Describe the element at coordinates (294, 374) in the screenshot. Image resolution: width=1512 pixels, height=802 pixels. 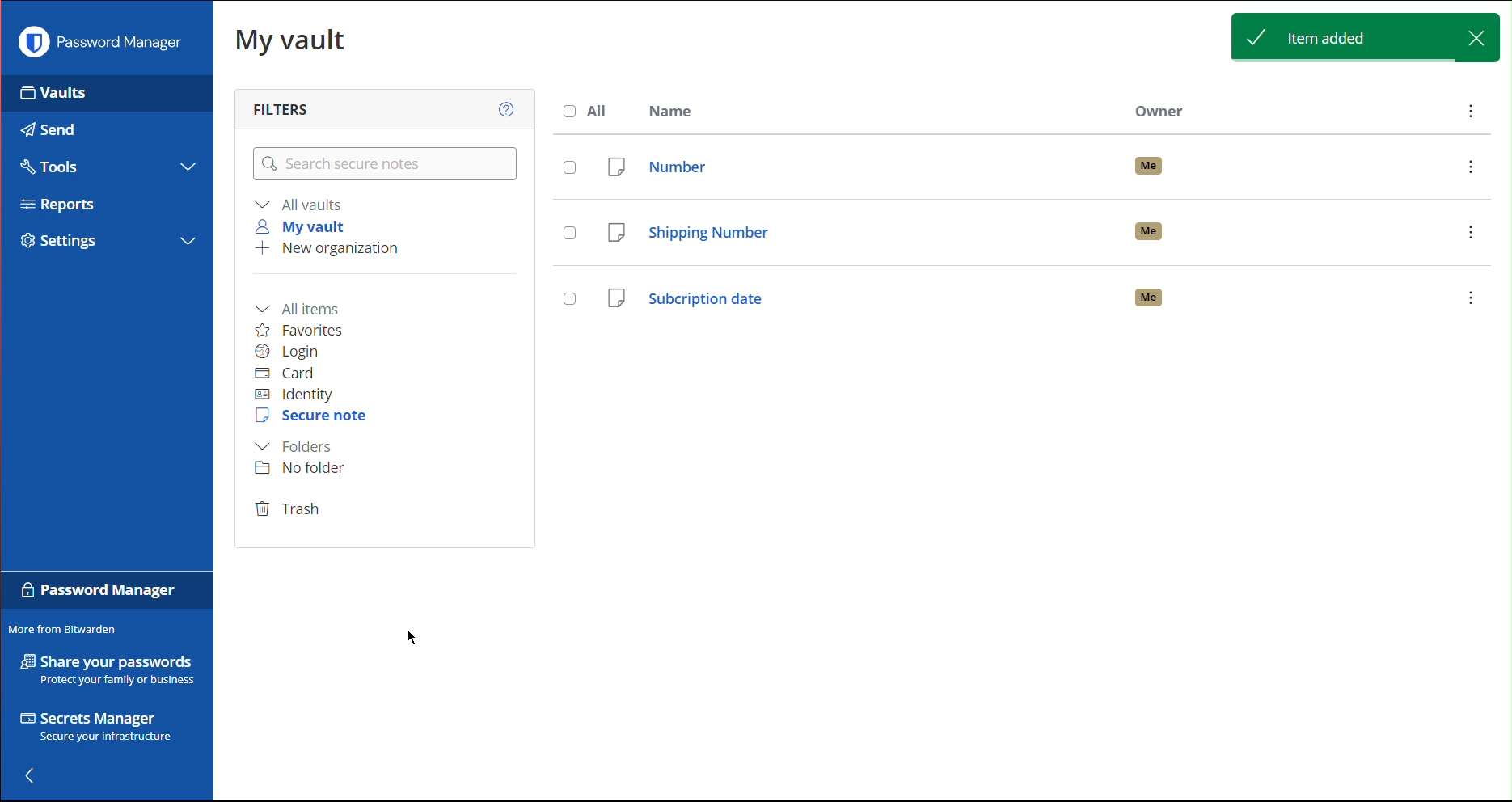
I see `Card` at that location.